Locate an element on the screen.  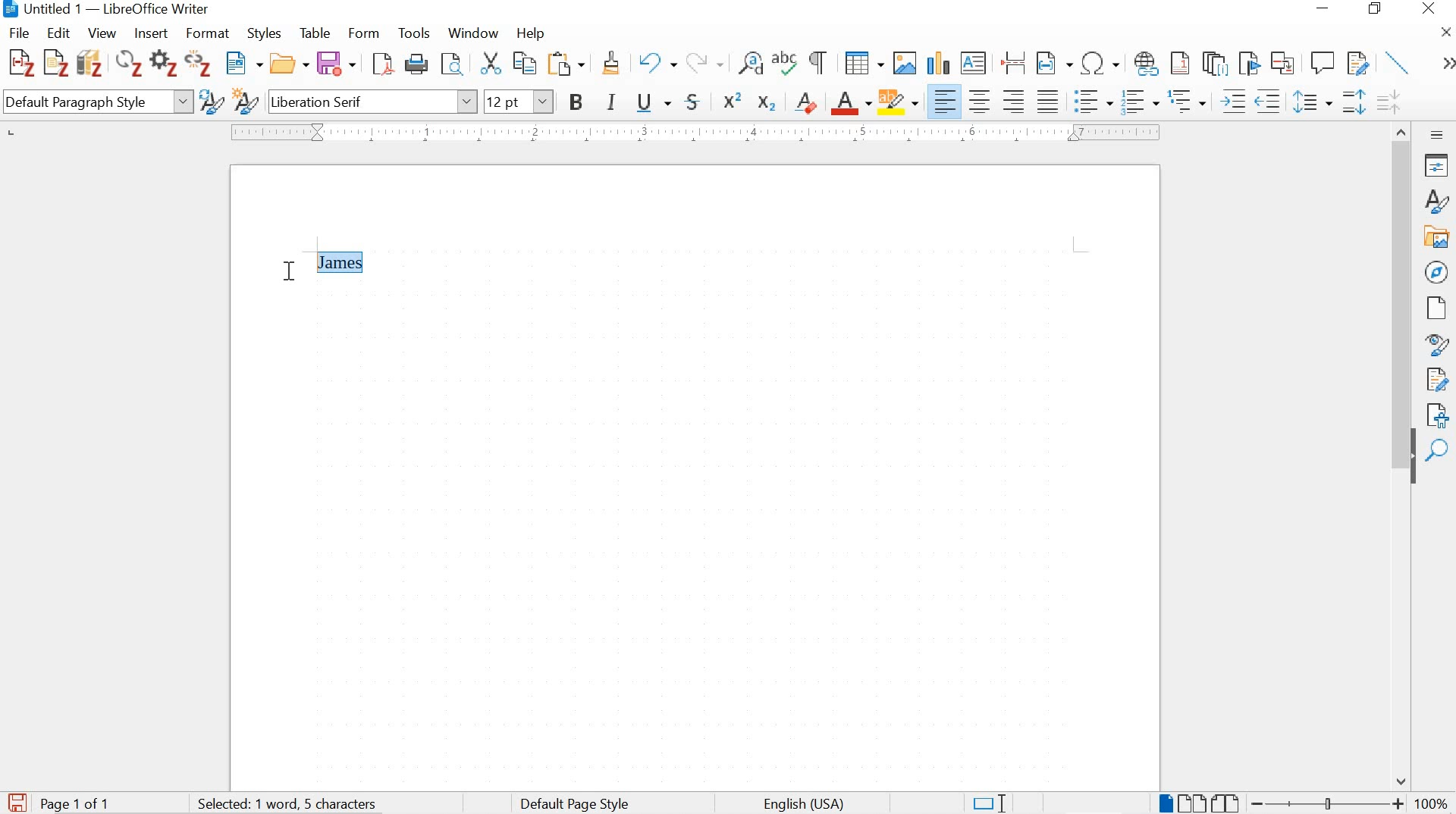
redo is located at coordinates (704, 61).